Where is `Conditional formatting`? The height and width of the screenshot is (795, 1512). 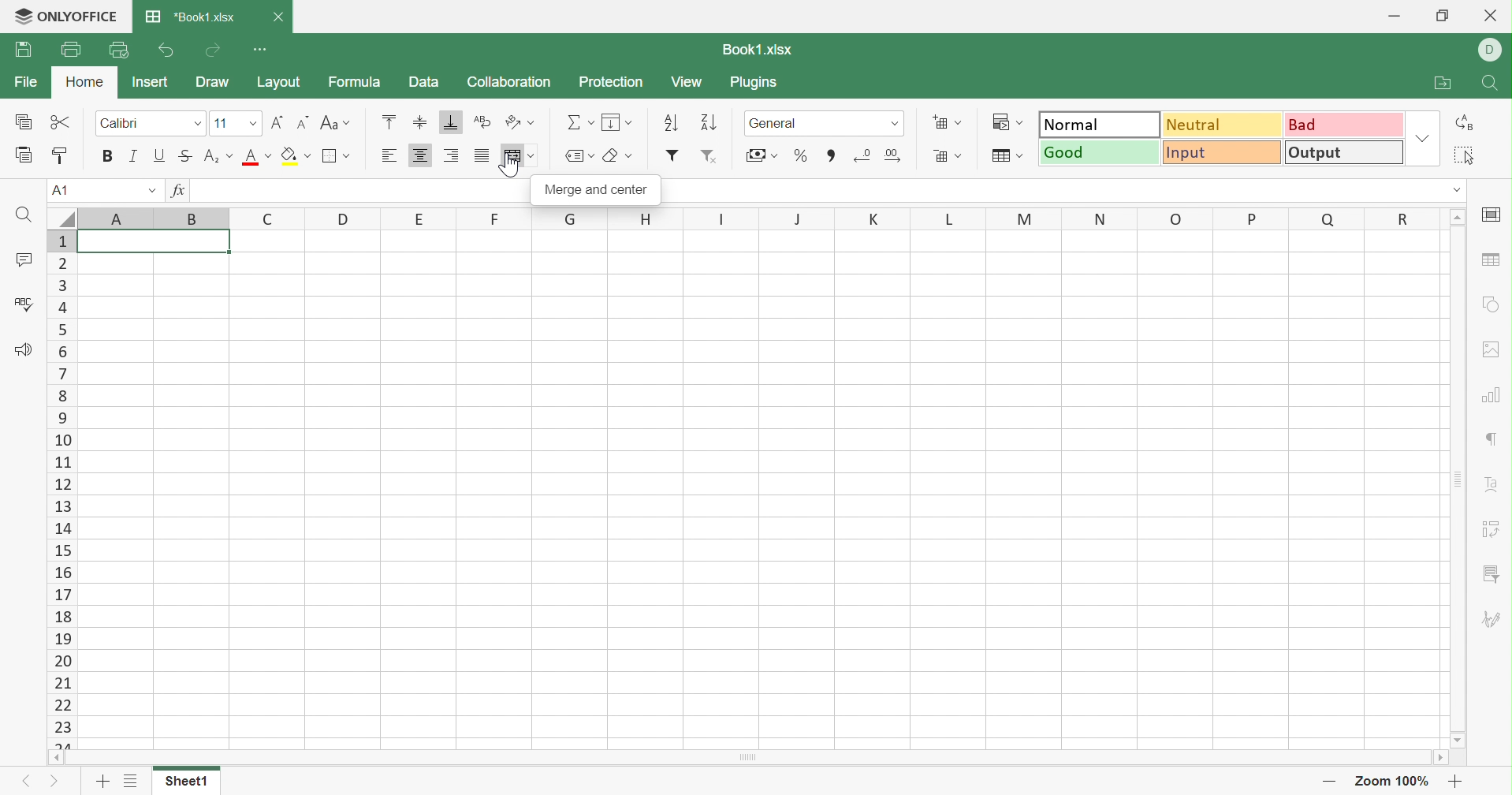
Conditional formatting is located at coordinates (1007, 122).